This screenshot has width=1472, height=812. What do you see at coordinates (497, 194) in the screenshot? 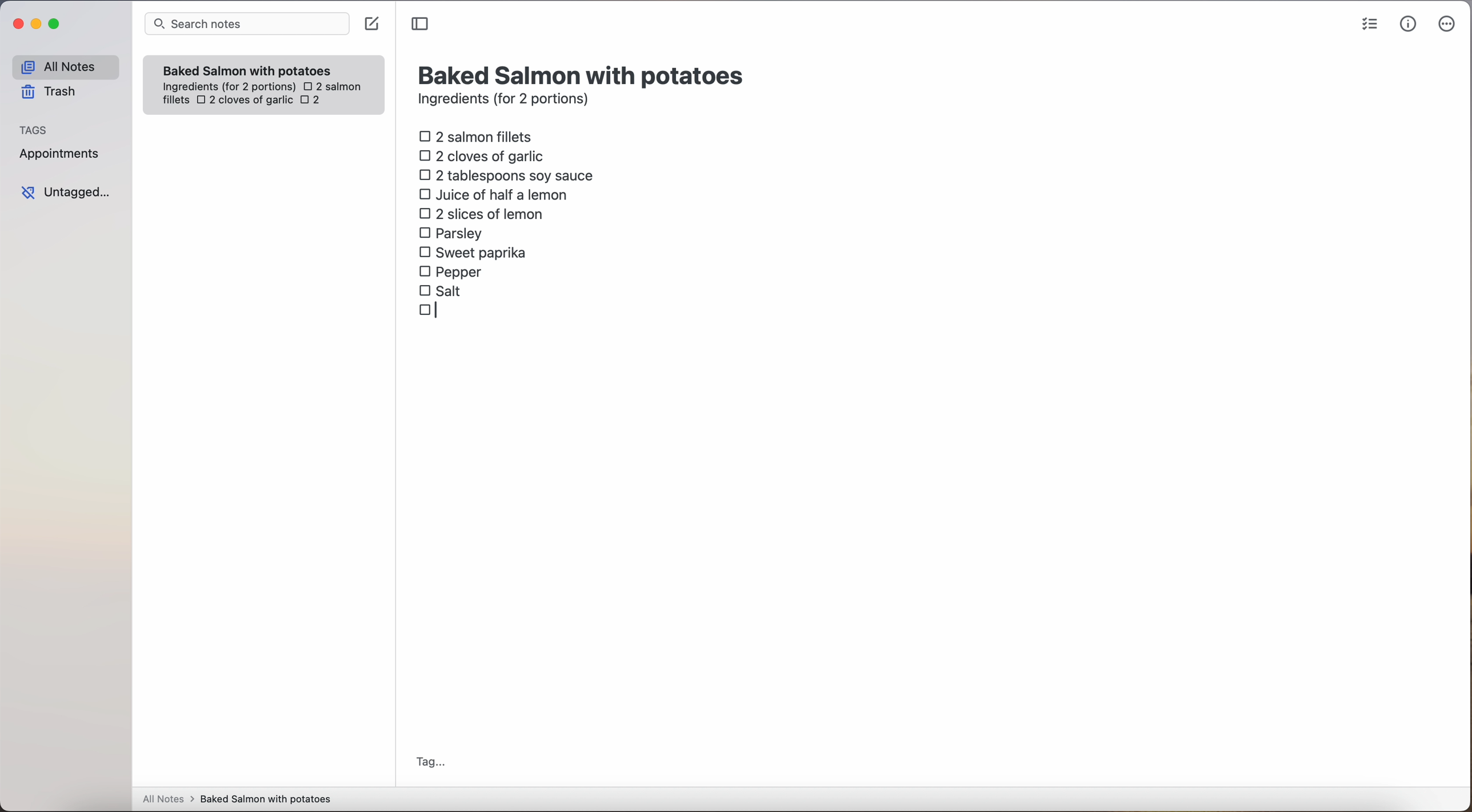
I see `juice of half a lemon` at bounding box center [497, 194].